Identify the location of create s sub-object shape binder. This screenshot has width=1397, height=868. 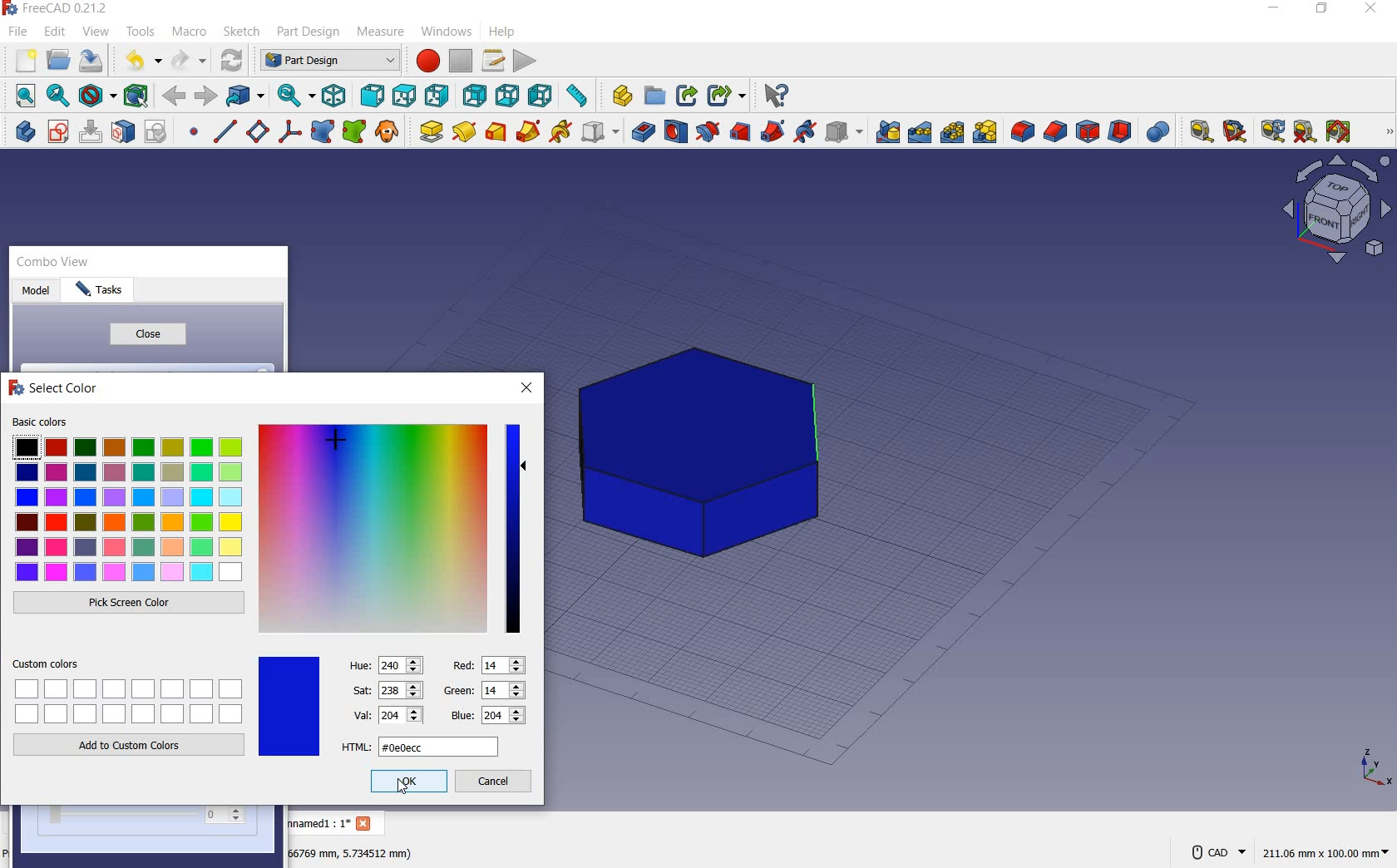
(354, 132).